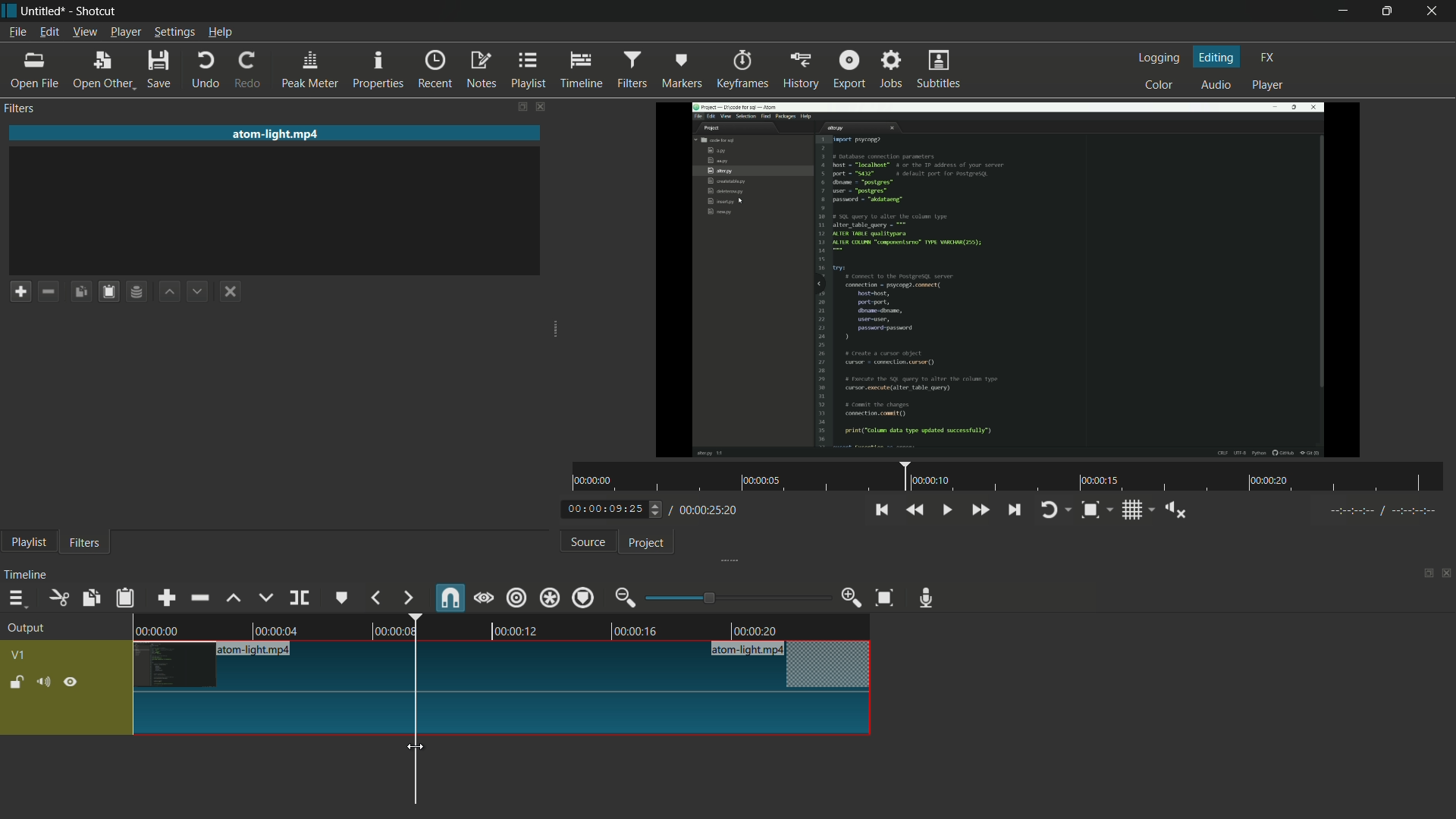 The width and height of the screenshot is (1456, 819). Describe the element at coordinates (93, 598) in the screenshot. I see `copy checked filters` at that location.